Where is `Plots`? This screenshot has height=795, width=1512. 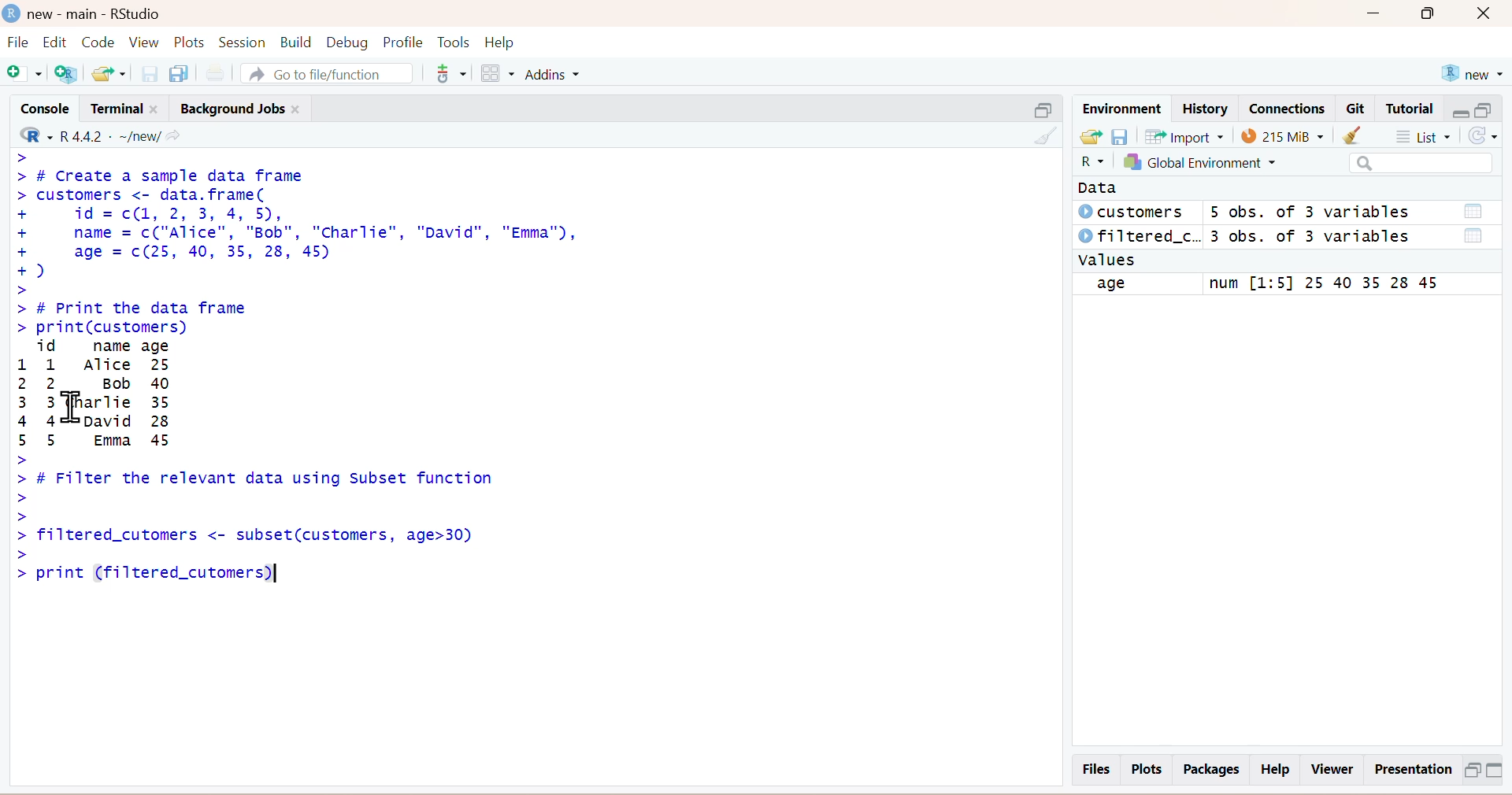
Plots is located at coordinates (1147, 769).